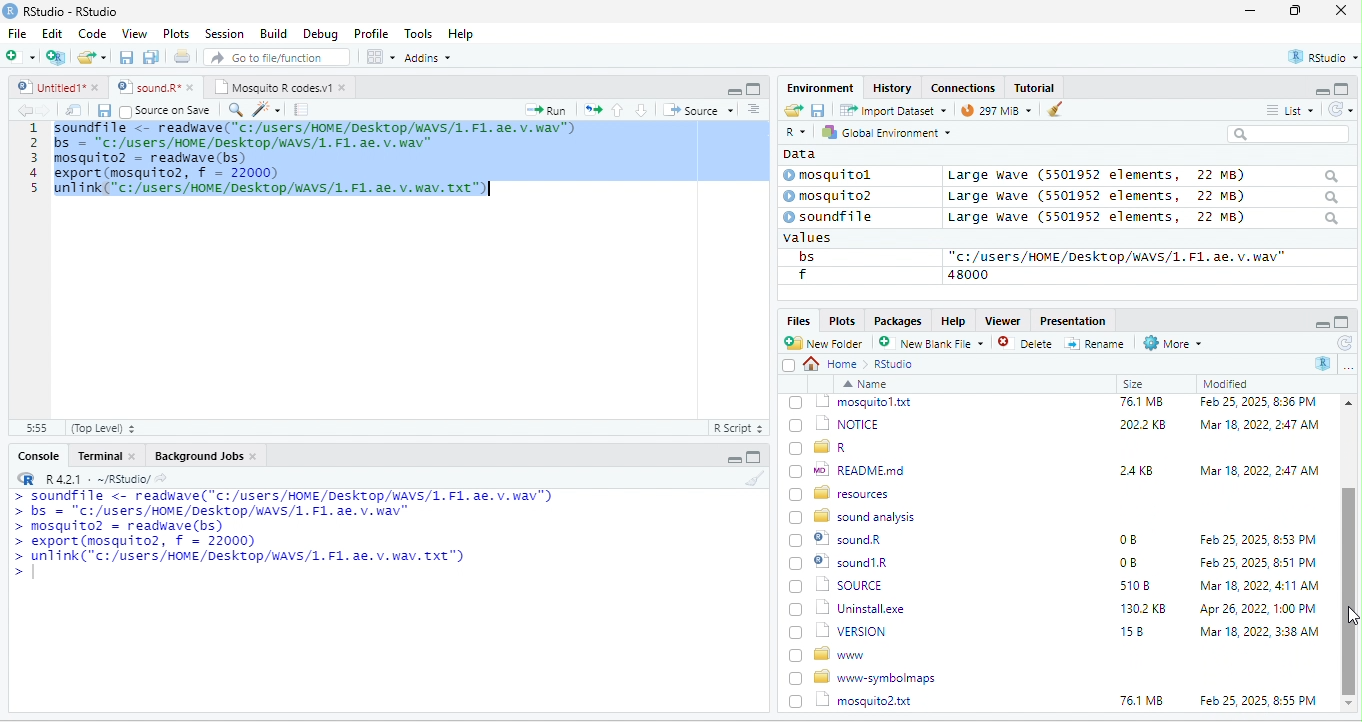 This screenshot has height=722, width=1362. I want to click on =] Rename, so click(1096, 343).